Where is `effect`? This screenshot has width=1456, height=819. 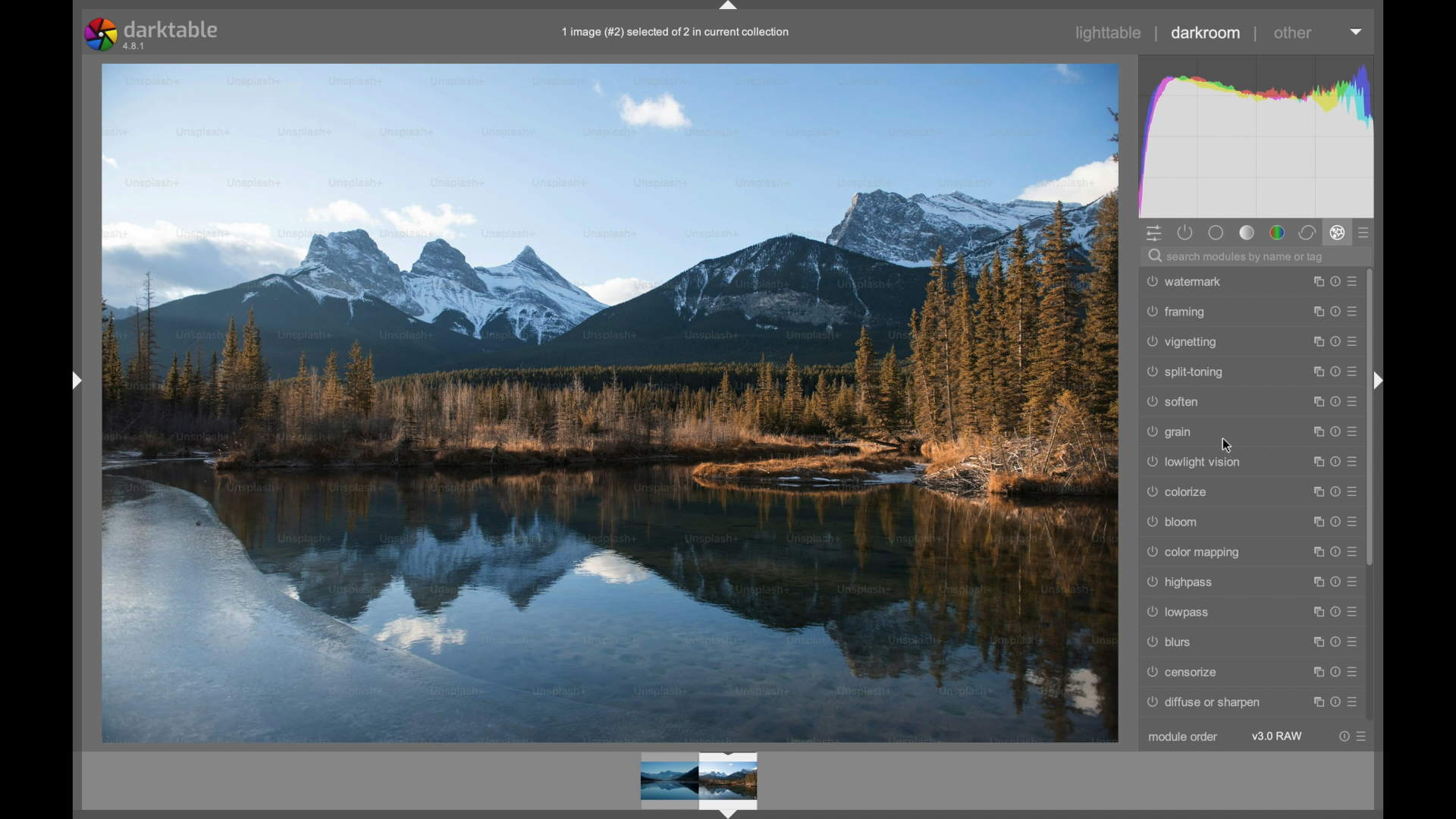
effect is located at coordinates (1338, 232).